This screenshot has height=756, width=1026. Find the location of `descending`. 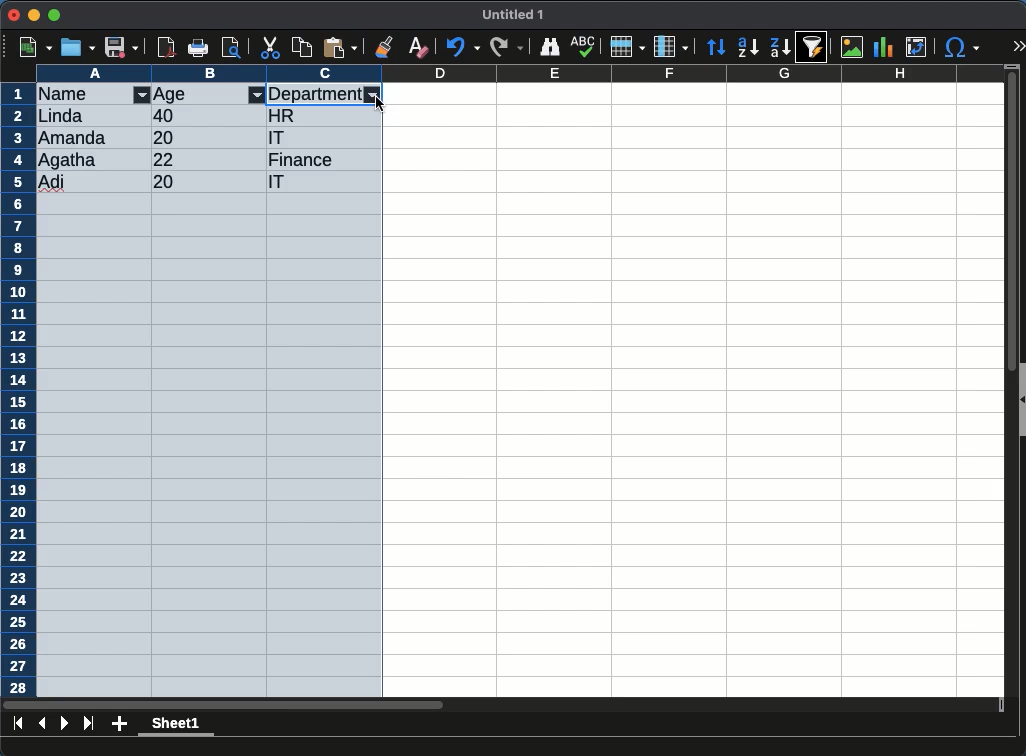

descending is located at coordinates (779, 46).